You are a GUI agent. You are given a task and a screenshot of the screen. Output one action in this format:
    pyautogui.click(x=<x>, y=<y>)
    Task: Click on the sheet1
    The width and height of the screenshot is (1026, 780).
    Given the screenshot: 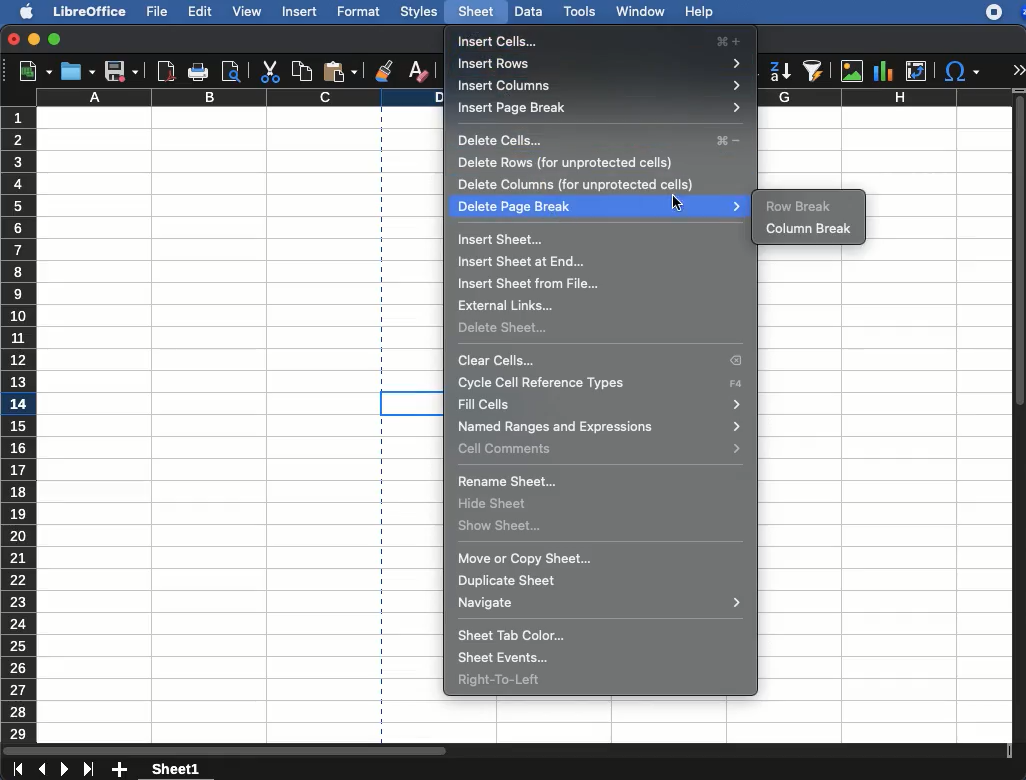 What is the action you would take?
    pyautogui.click(x=177, y=768)
    